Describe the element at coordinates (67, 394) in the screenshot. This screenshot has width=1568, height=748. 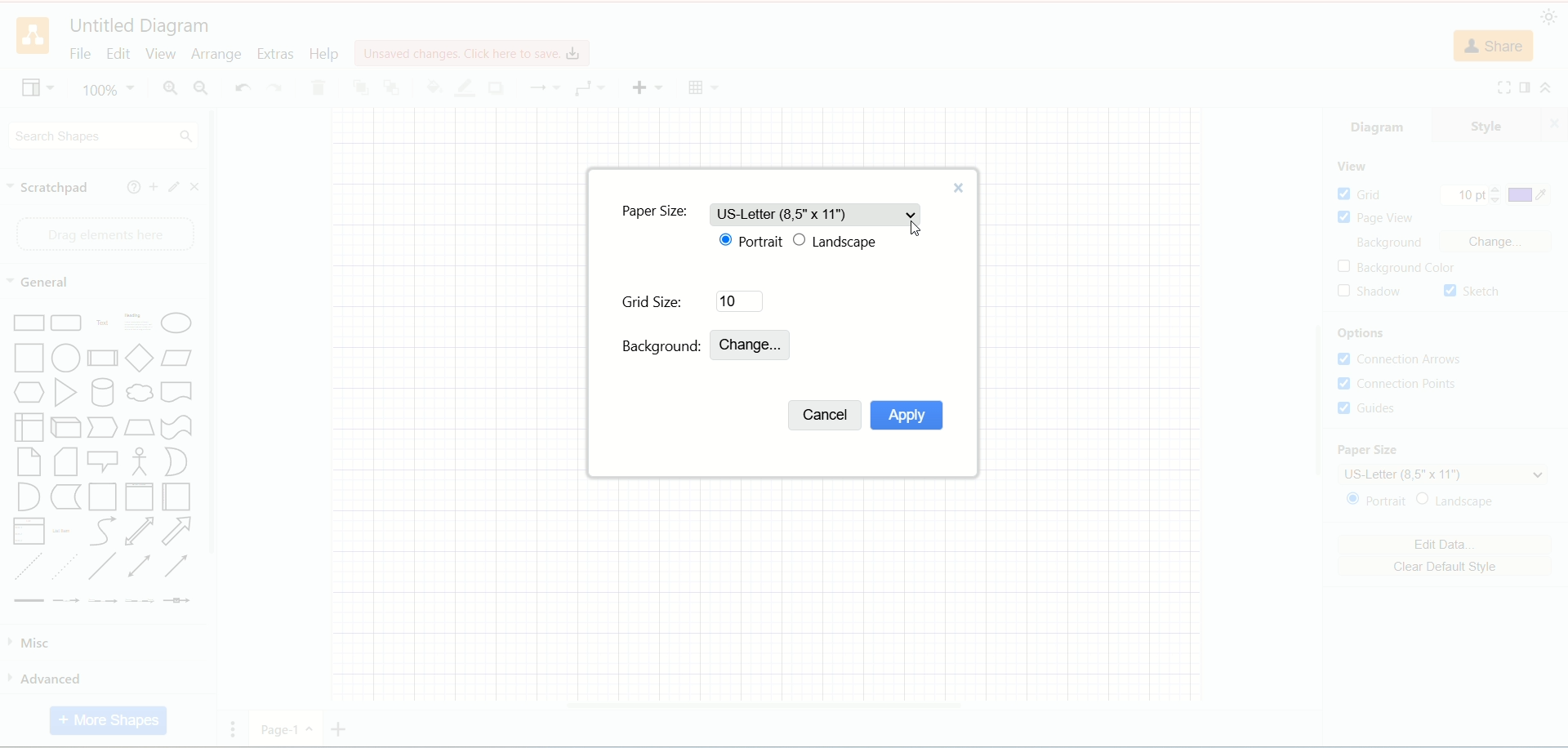
I see `Triangle` at that location.